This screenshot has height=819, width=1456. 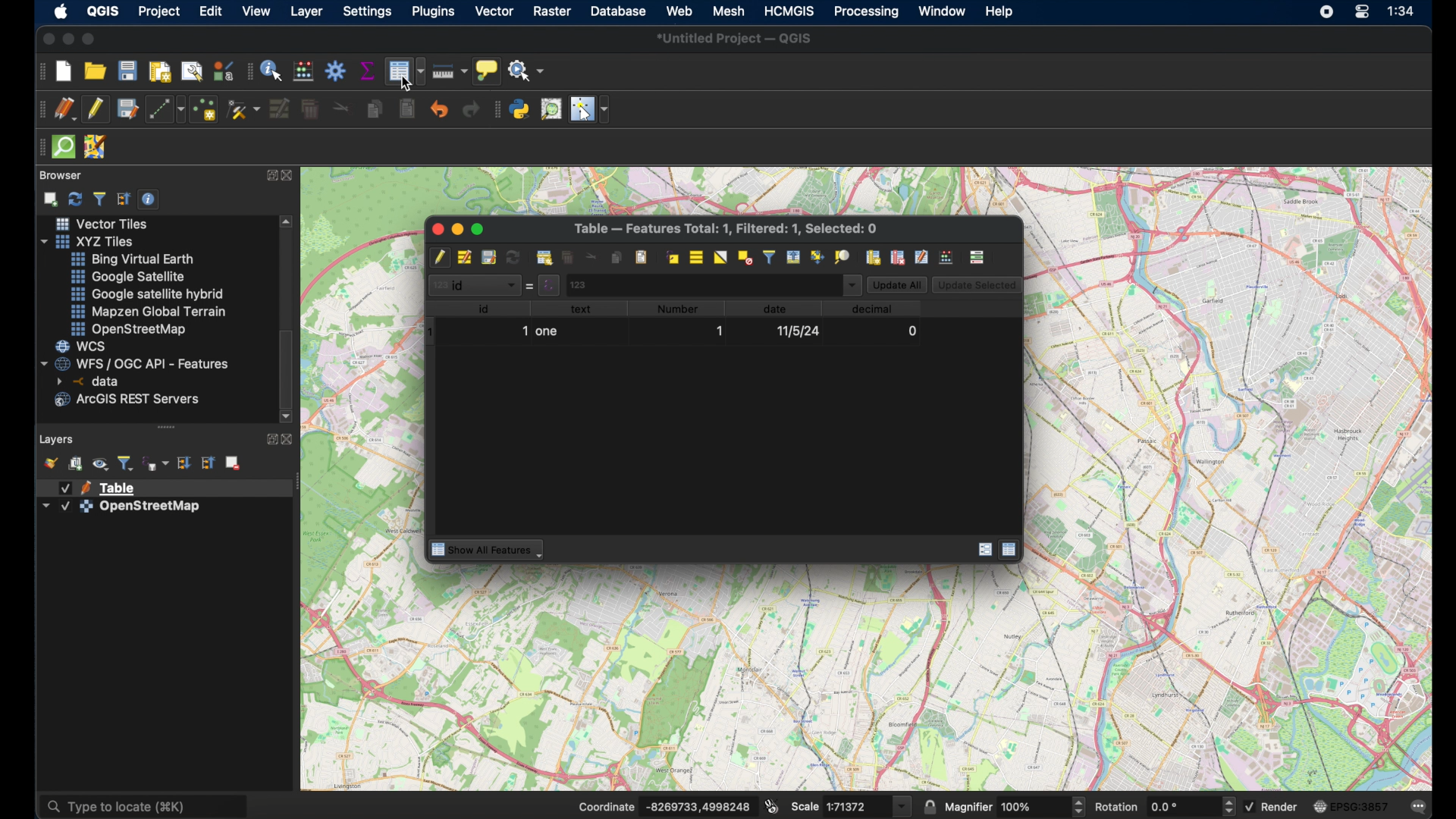 What do you see at coordinates (874, 257) in the screenshot?
I see `new field` at bounding box center [874, 257].